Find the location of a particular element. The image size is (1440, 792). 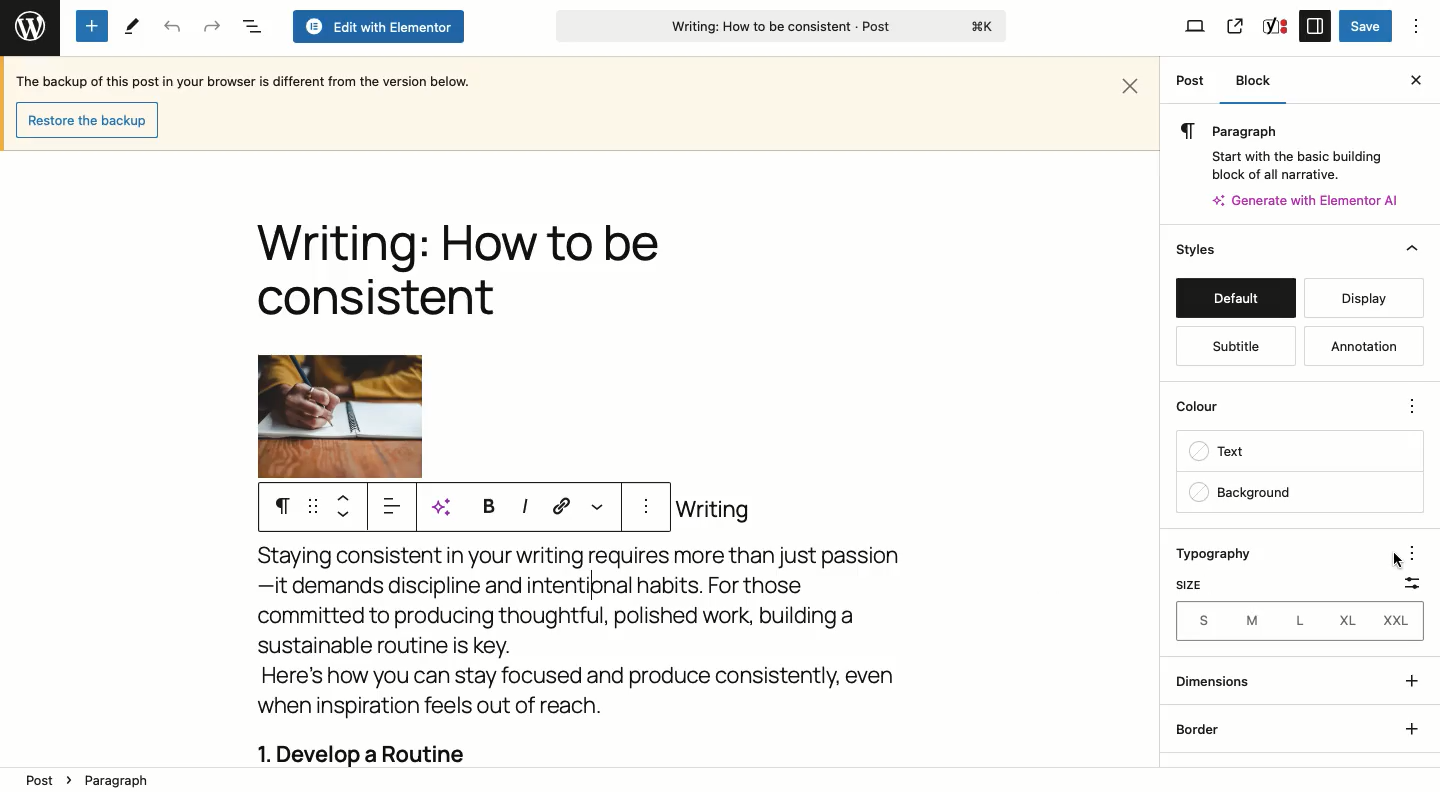

Undo is located at coordinates (172, 27).